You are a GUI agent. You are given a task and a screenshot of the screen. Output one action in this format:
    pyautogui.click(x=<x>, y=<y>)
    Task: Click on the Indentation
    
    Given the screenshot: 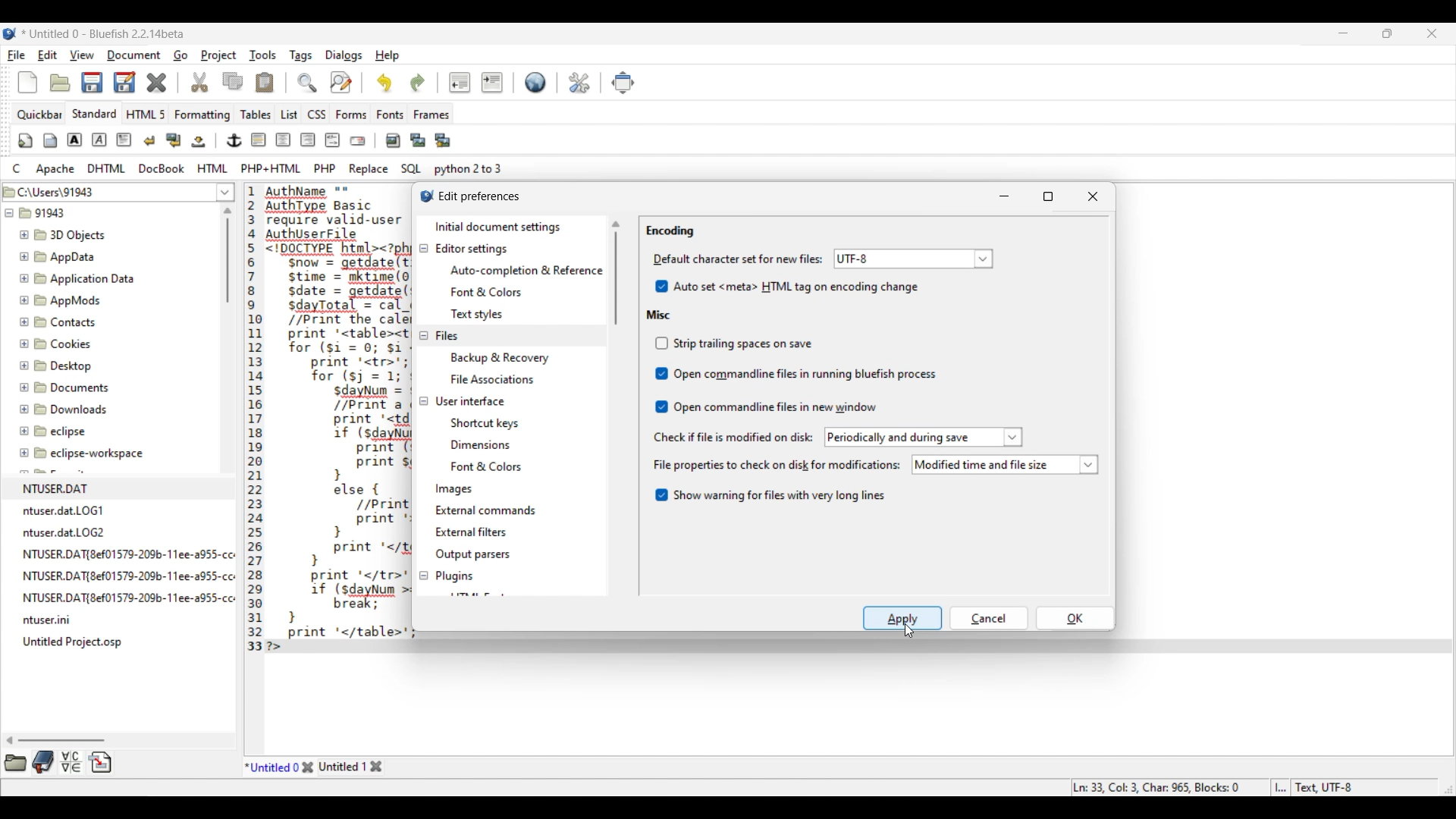 What is the action you would take?
    pyautogui.click(x=476, y=82)
    